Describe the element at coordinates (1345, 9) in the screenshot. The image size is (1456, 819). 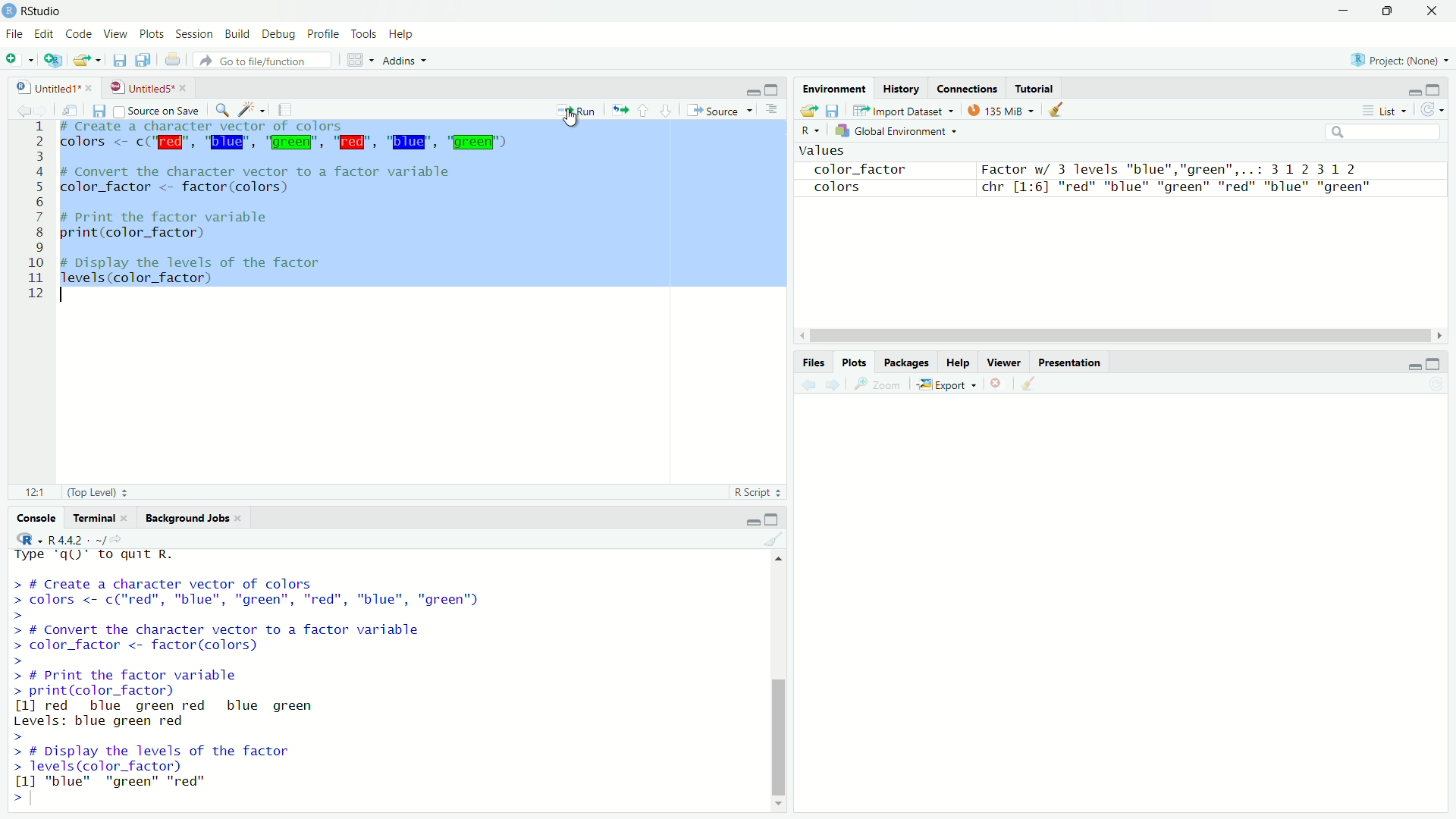
I see `minimize` at that location.